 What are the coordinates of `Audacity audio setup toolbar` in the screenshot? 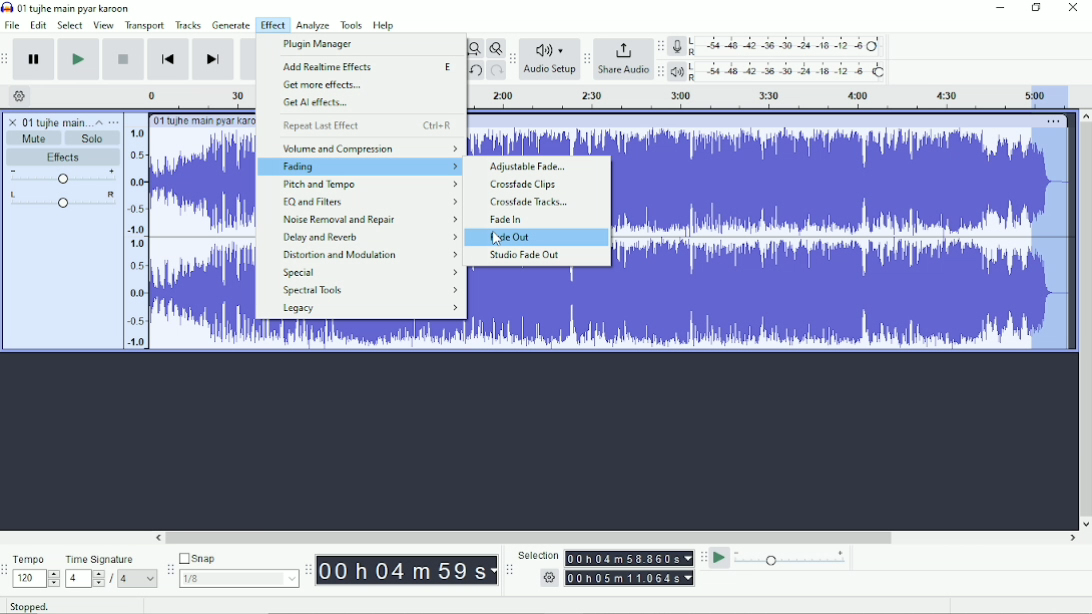 It's located at (512, 59).